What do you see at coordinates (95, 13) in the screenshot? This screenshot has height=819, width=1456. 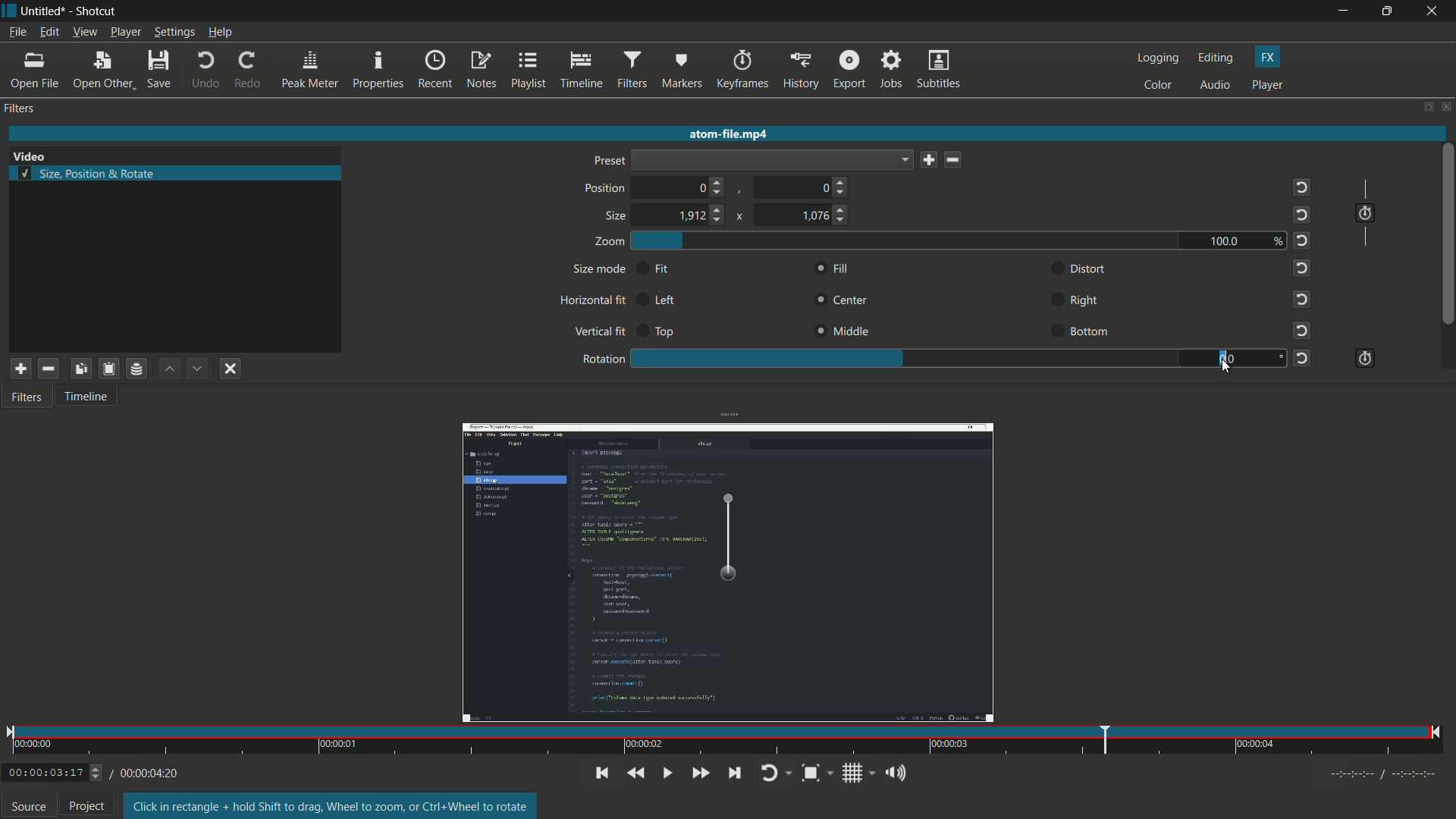 I see `shotcut` at bounding box center [95, 13].